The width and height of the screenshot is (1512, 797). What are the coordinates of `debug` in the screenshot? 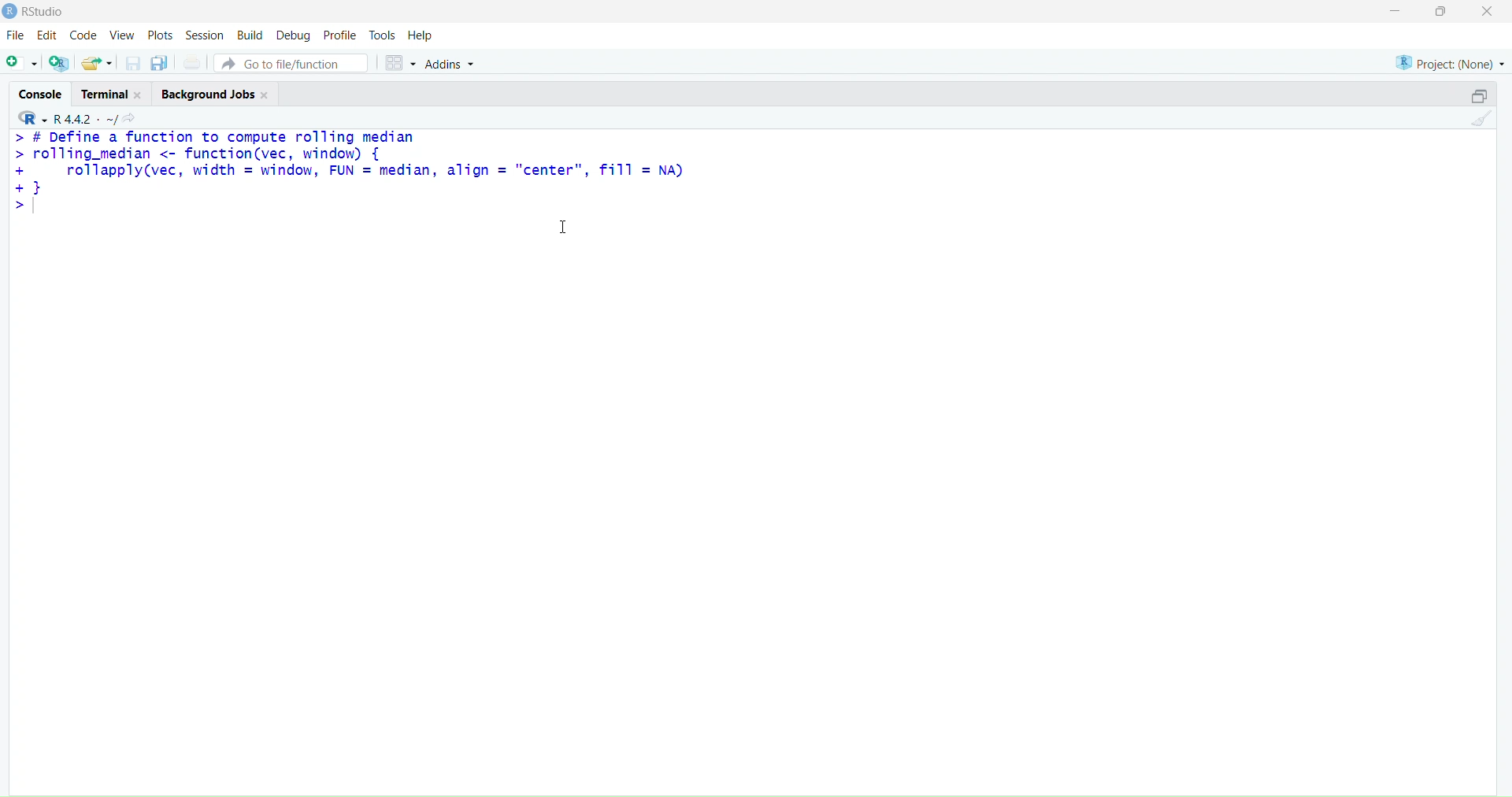 It's located at (292, 37).